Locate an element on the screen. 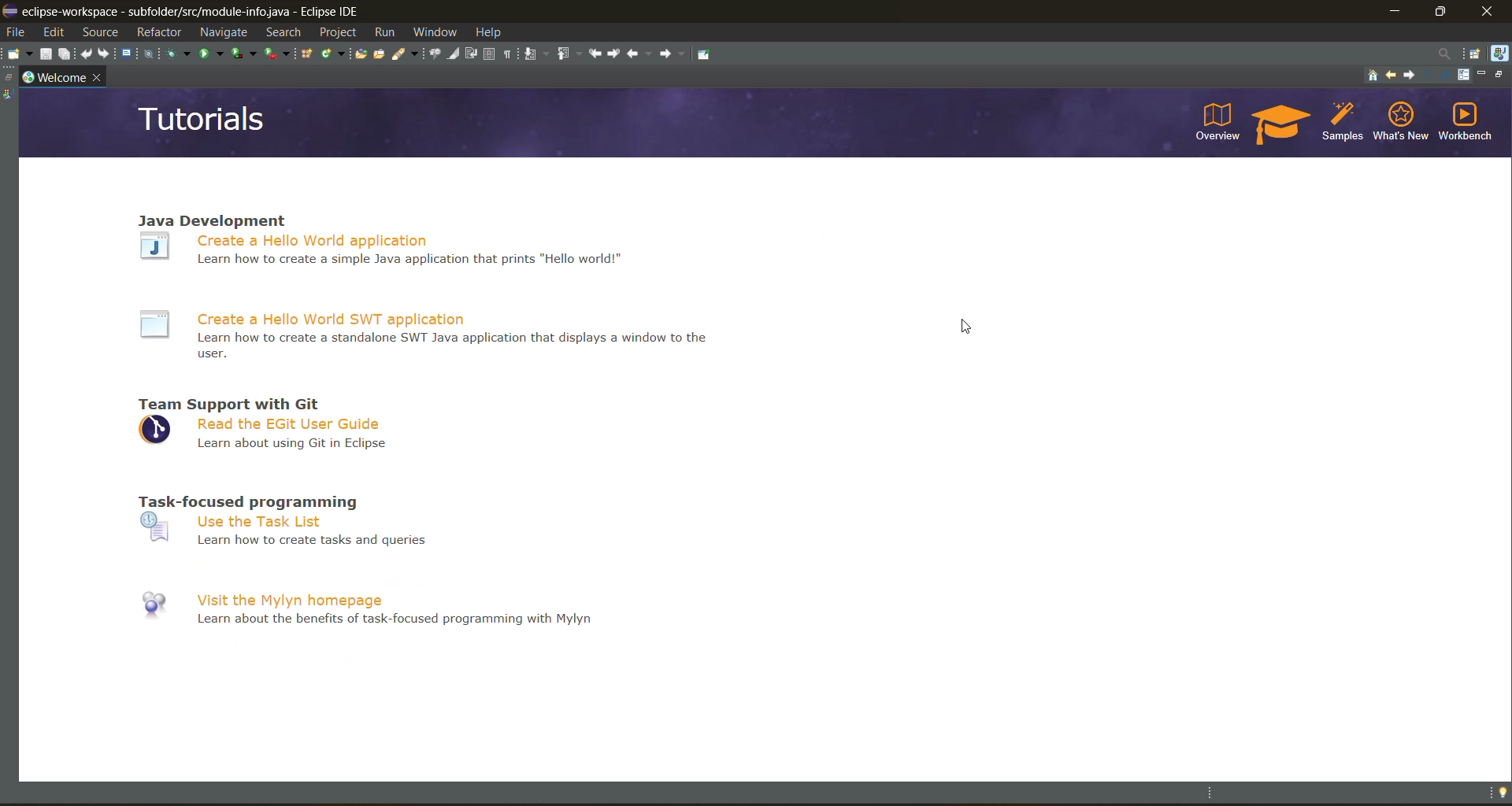  show whitespace characters is located at coordinates (510, 55).